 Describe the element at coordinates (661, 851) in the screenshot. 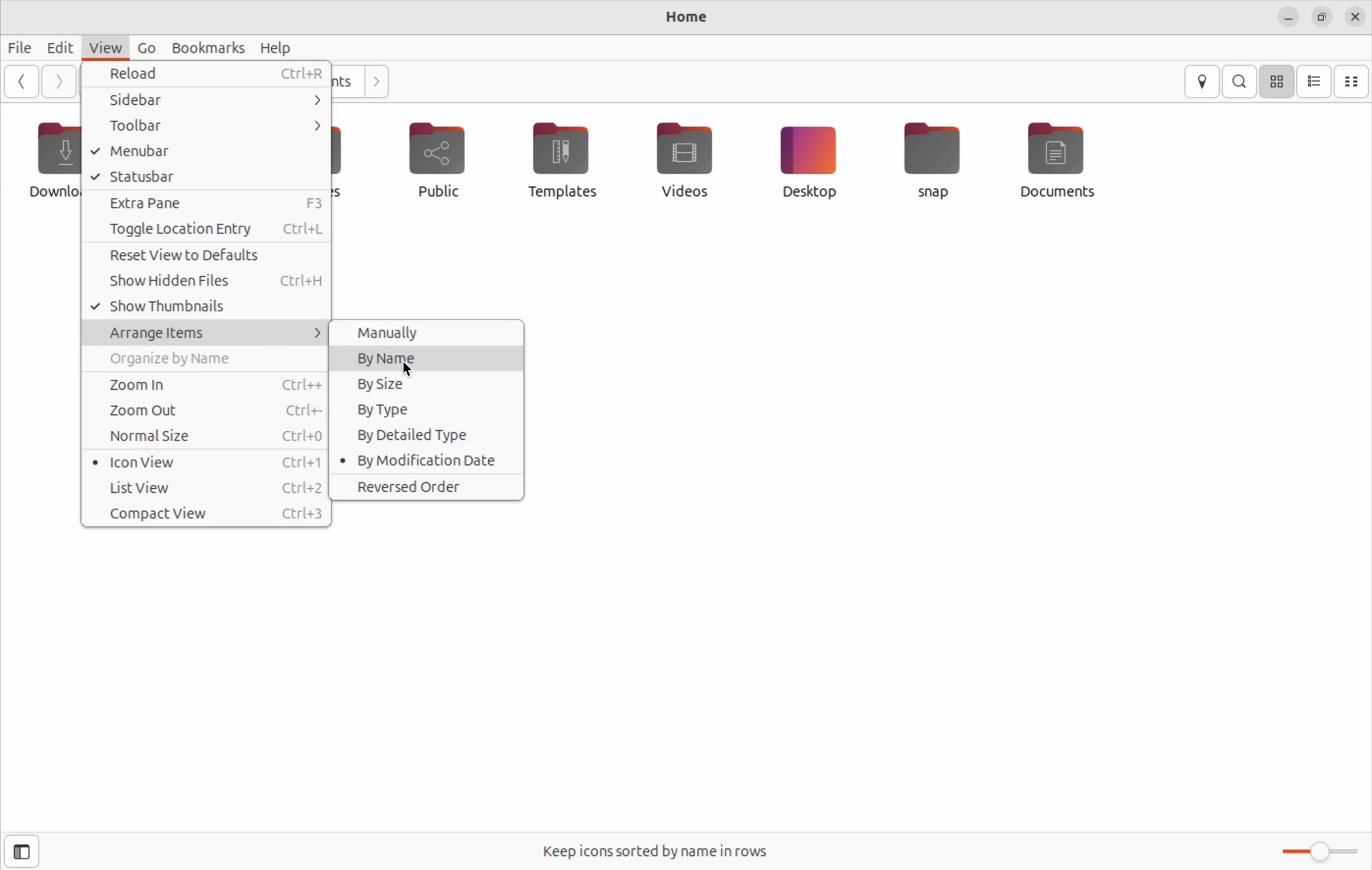

I see `keep icons sorted by name rows` at that location.